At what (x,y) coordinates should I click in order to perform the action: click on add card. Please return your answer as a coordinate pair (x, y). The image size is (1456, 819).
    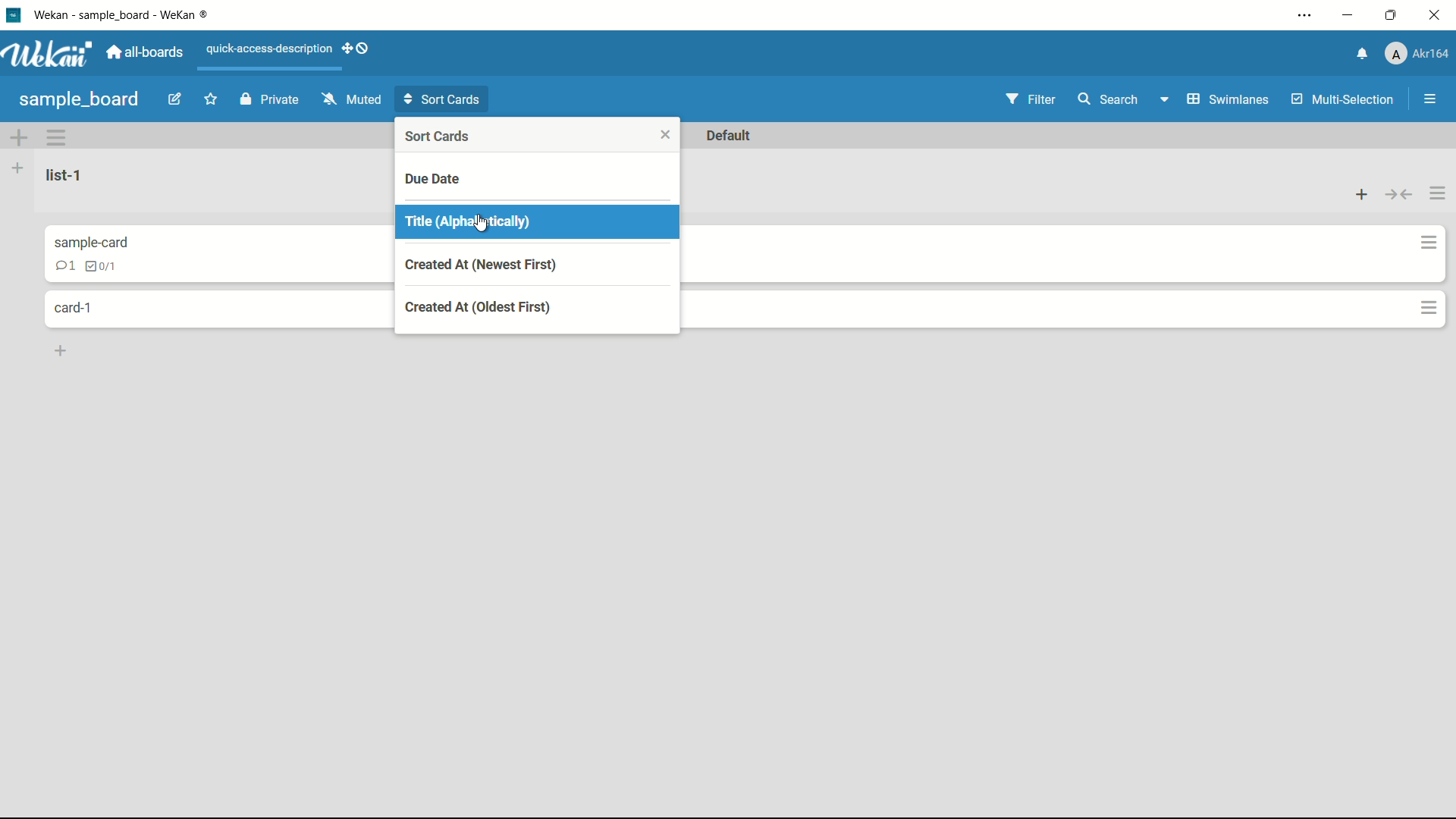
    Looking at the image, I should click on (61, 352).